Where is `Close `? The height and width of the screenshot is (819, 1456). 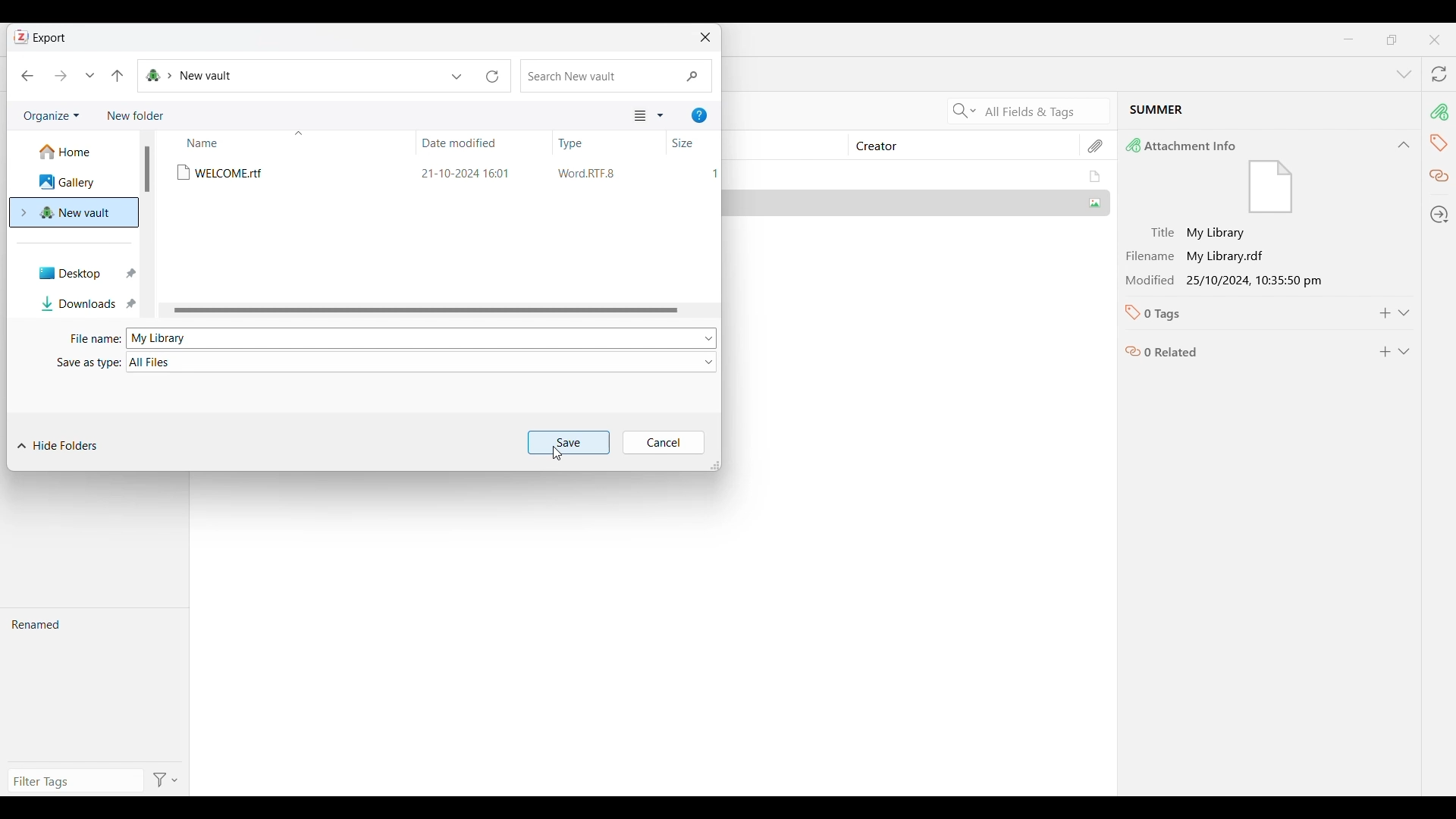 Close  is located at coordinates (1435, 40).